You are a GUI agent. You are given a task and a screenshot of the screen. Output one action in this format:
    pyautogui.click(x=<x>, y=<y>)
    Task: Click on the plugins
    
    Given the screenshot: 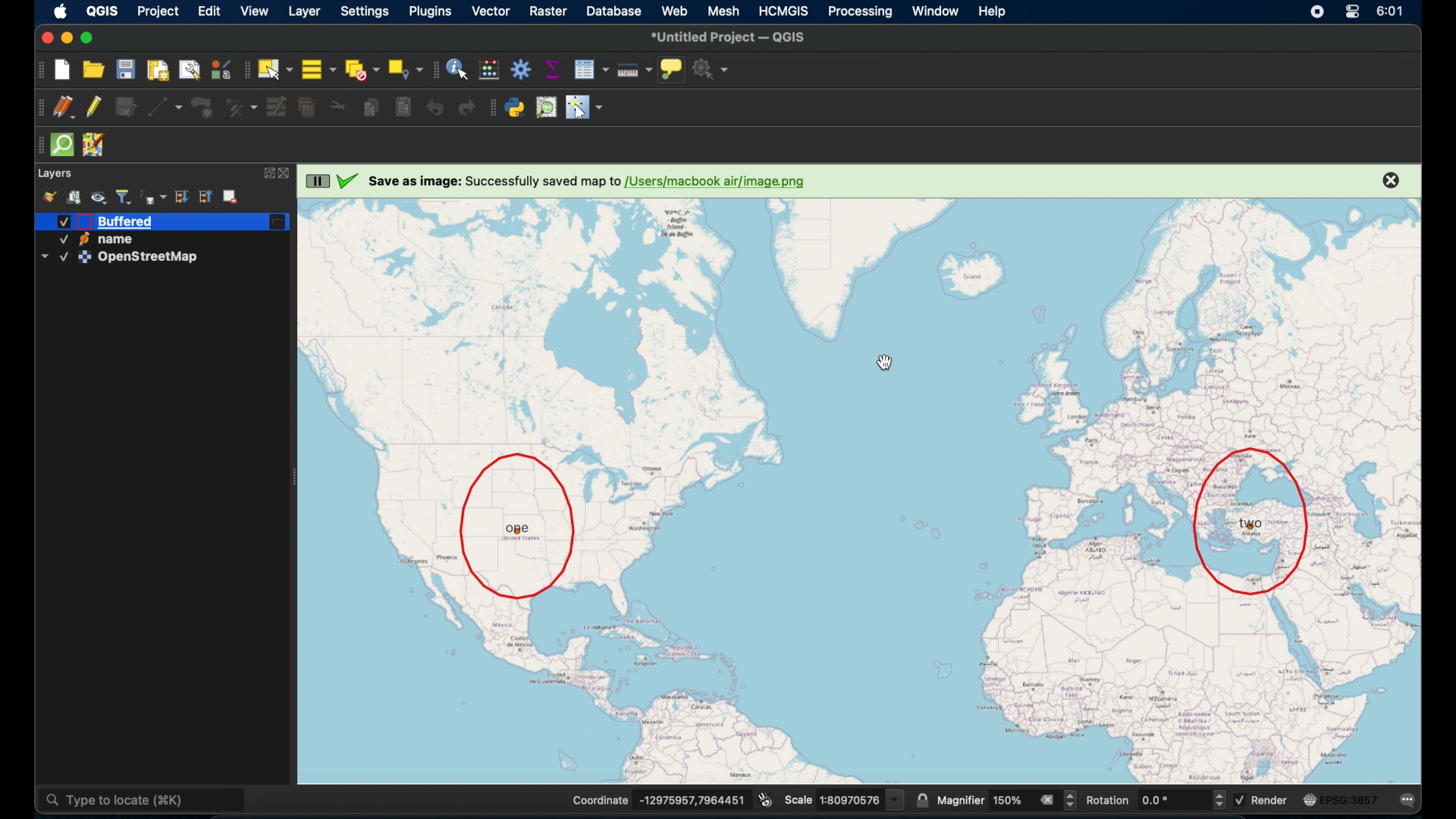 What is the action you would take?
    pyautogui.click(x=430, y=11)
    